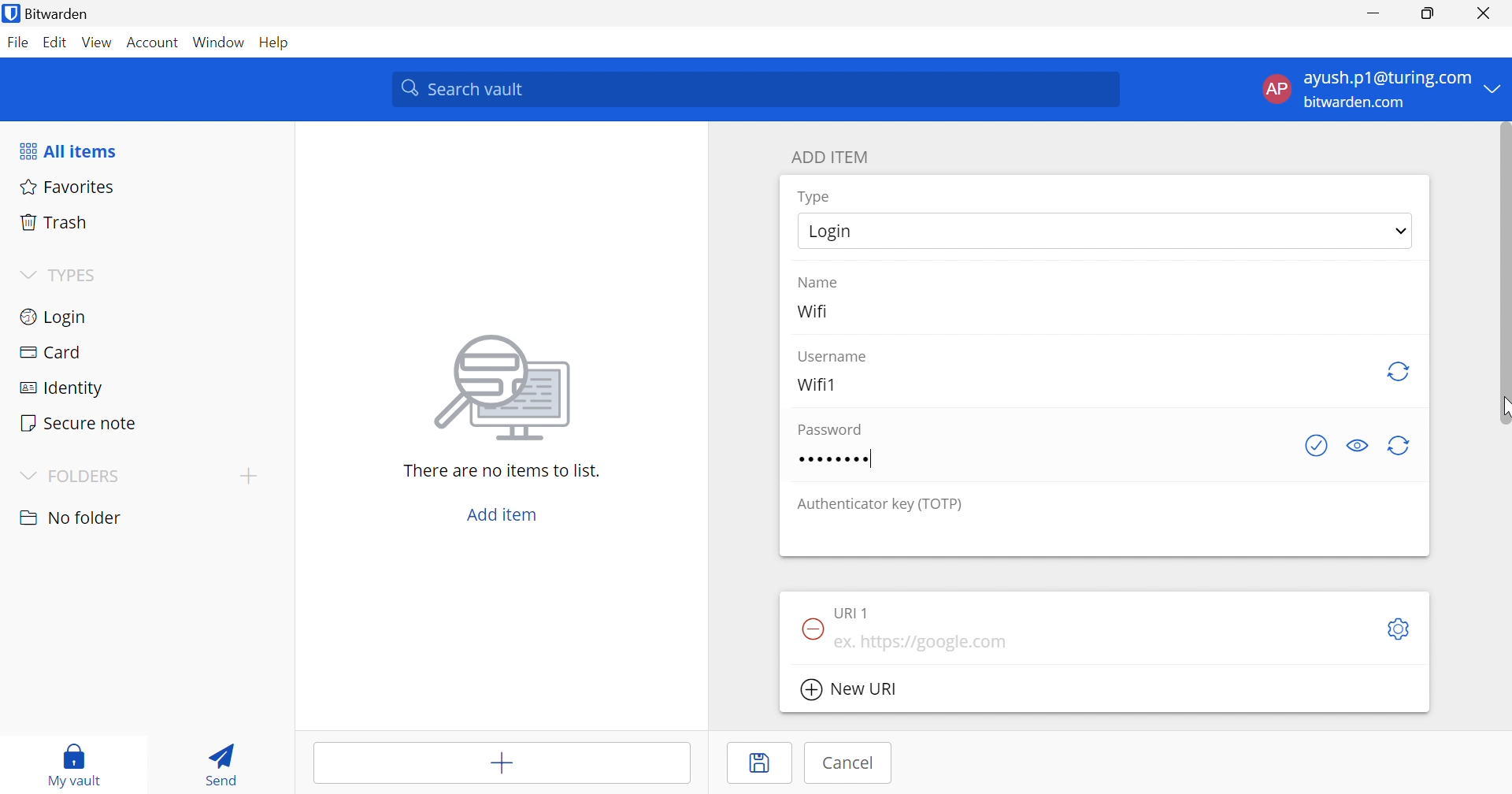 The image size is (1512, 794). What do you see at coordinates (248, 475) in the screenshot?
I see `Drop Down` at bounding box center [248, 475].